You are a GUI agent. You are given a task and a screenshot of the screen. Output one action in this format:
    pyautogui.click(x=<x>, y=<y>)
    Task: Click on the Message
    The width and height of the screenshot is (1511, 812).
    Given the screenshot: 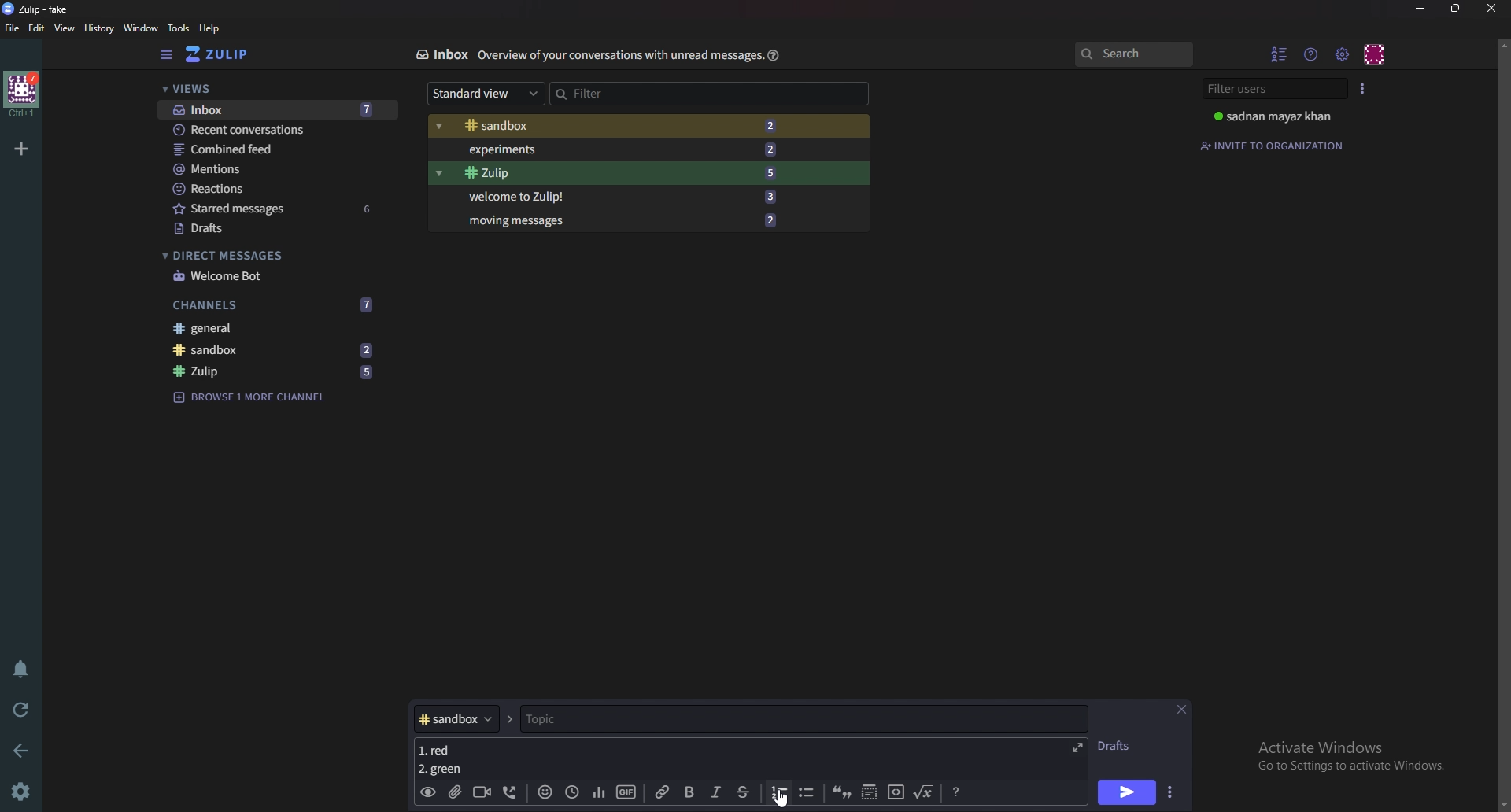 What is the action you would take?
    pyautogui.click(x=440, y=759)
    